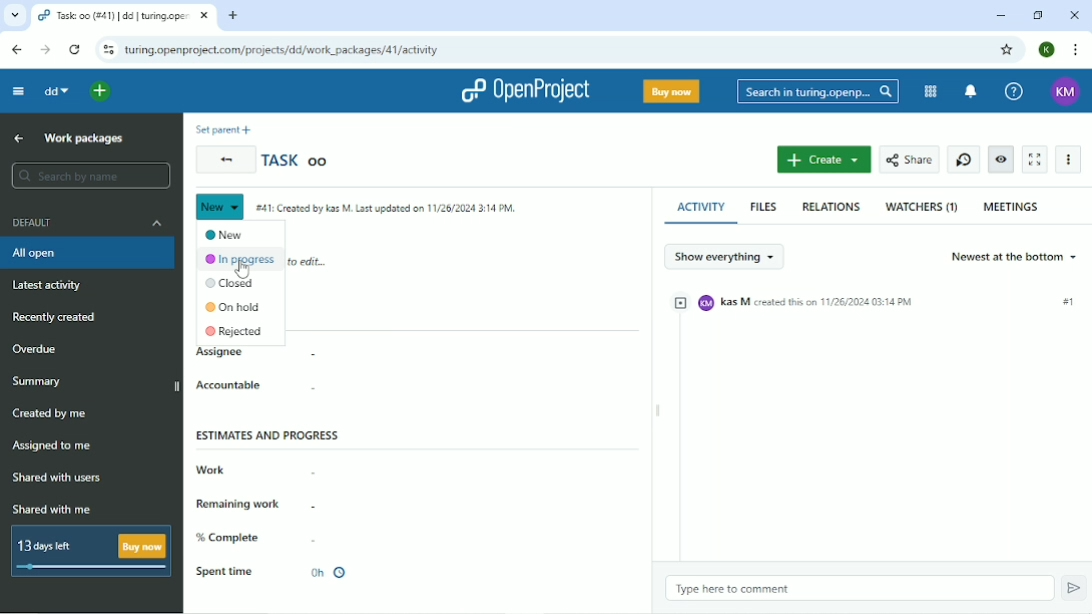  Describe the element at coordinates (268, 435) in the screenshot. I see `Estimates and progress` at that location.